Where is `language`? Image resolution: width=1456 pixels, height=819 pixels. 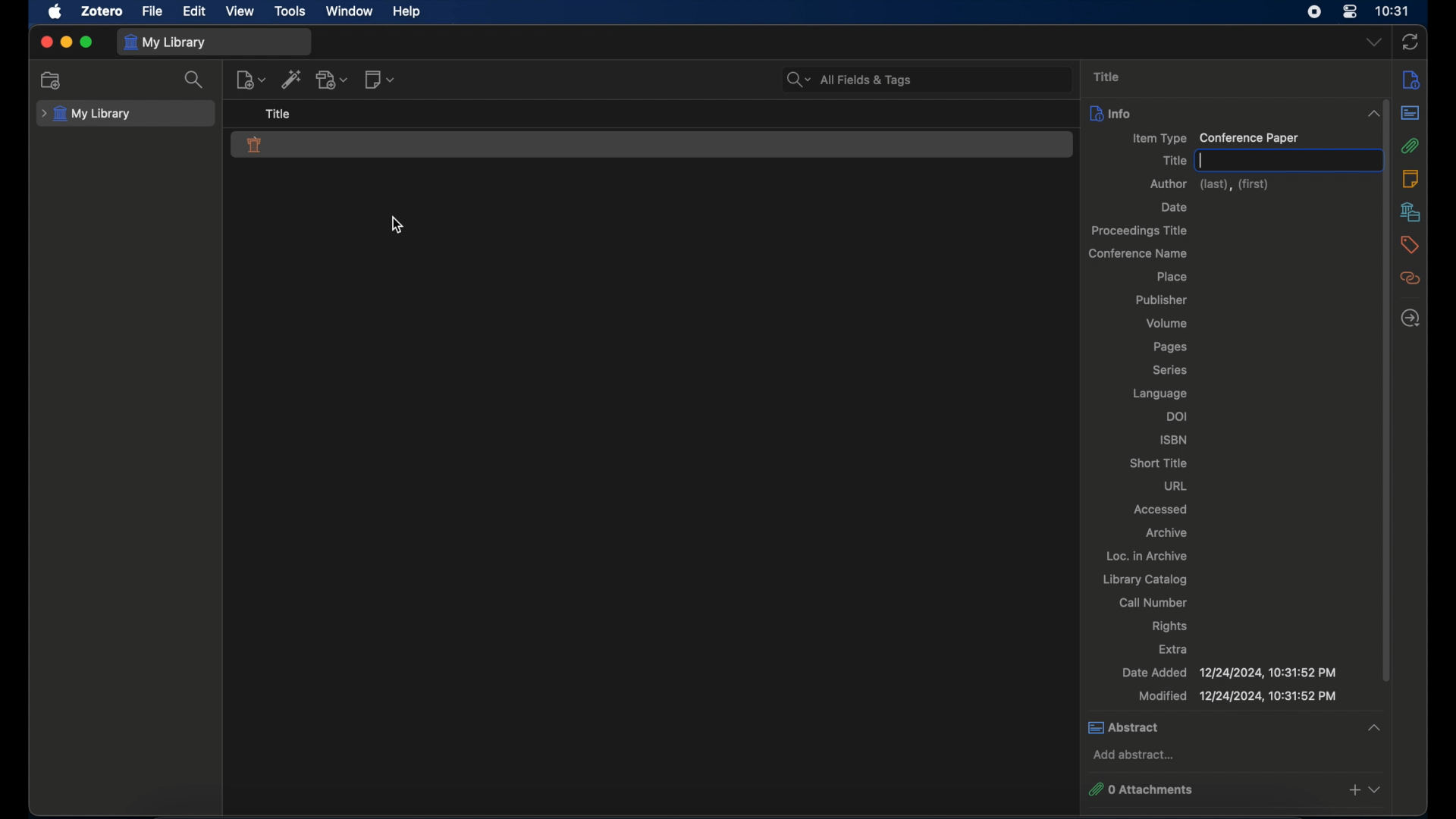 language is located at coordinates (1159, 394).